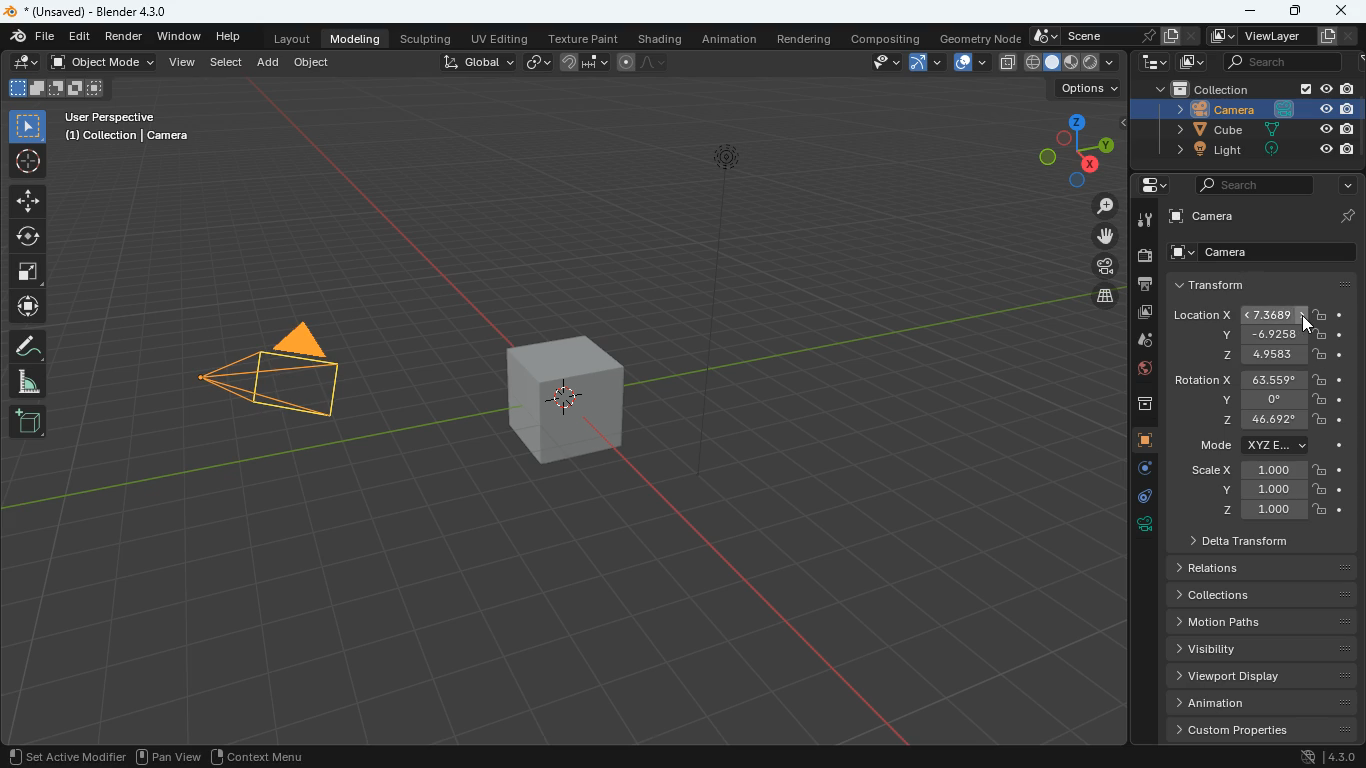 The height and width of the screenshot is (768, 1366). What do you see at coordinates (475, 62) in the screenshot?
I see `global` at bounding box center [475, 62].